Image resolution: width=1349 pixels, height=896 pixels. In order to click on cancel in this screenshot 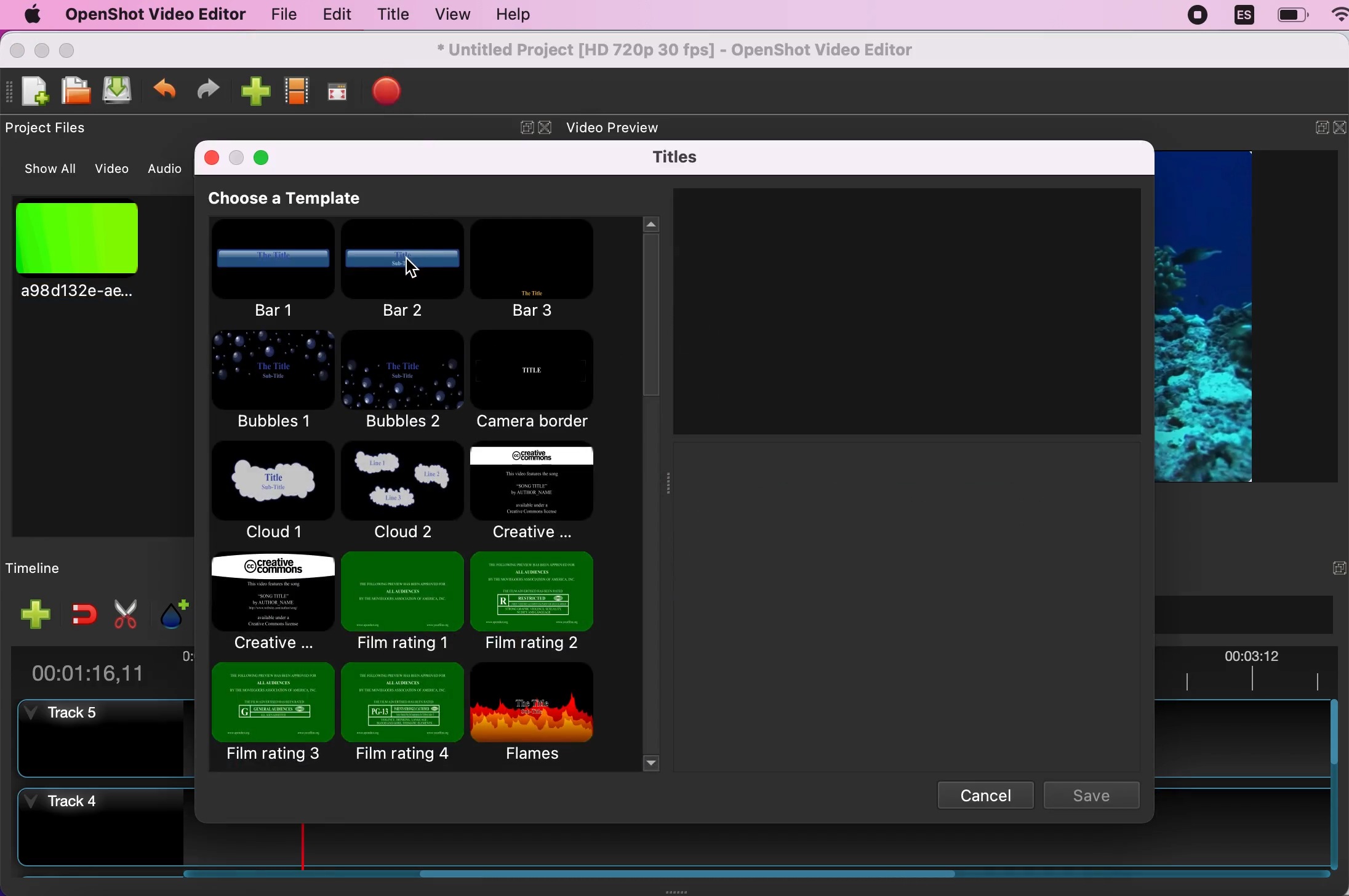, I will do `click(984, 794)`.